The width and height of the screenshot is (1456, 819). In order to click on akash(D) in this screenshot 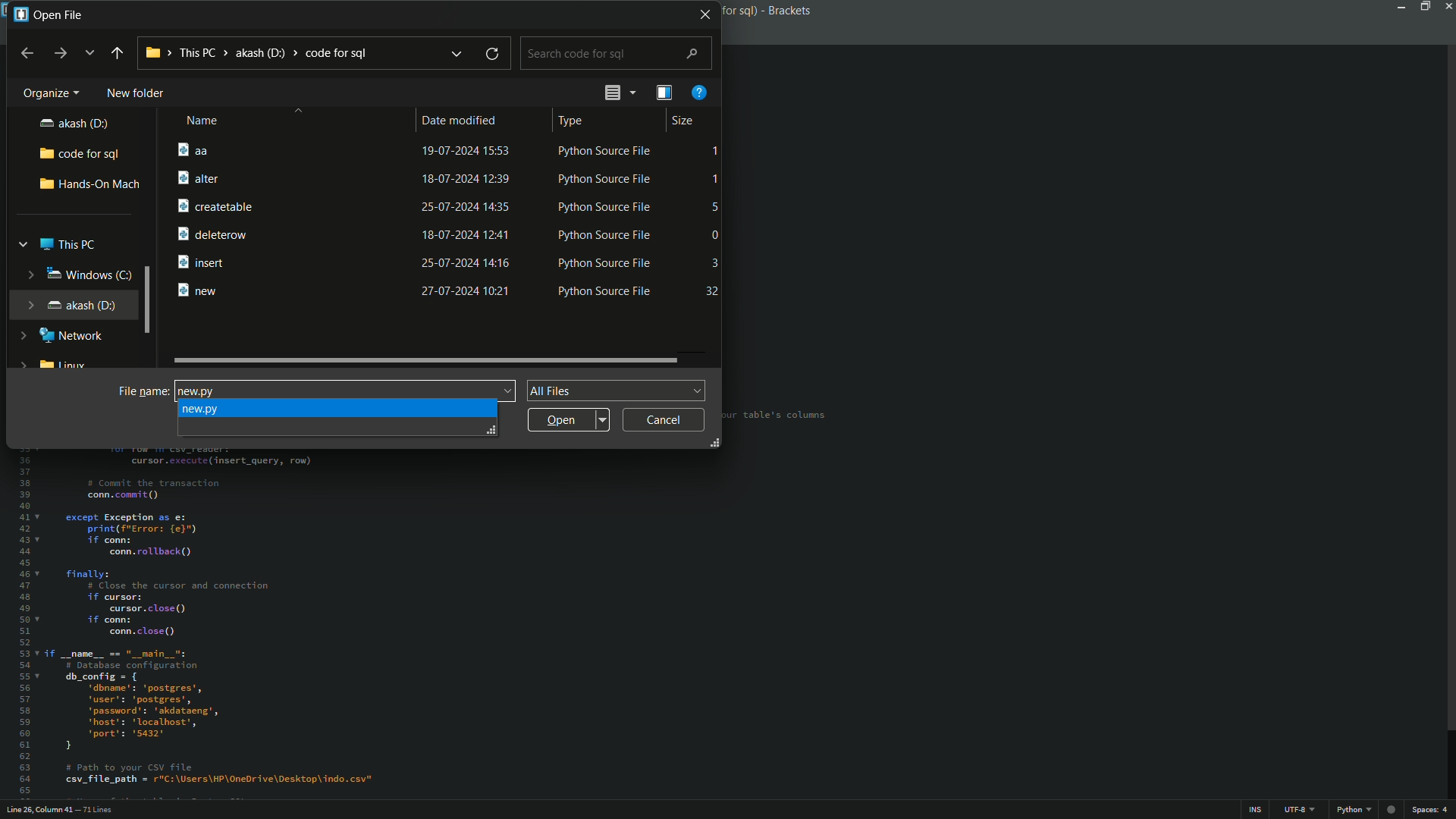, I will do `click(73, 123)`.